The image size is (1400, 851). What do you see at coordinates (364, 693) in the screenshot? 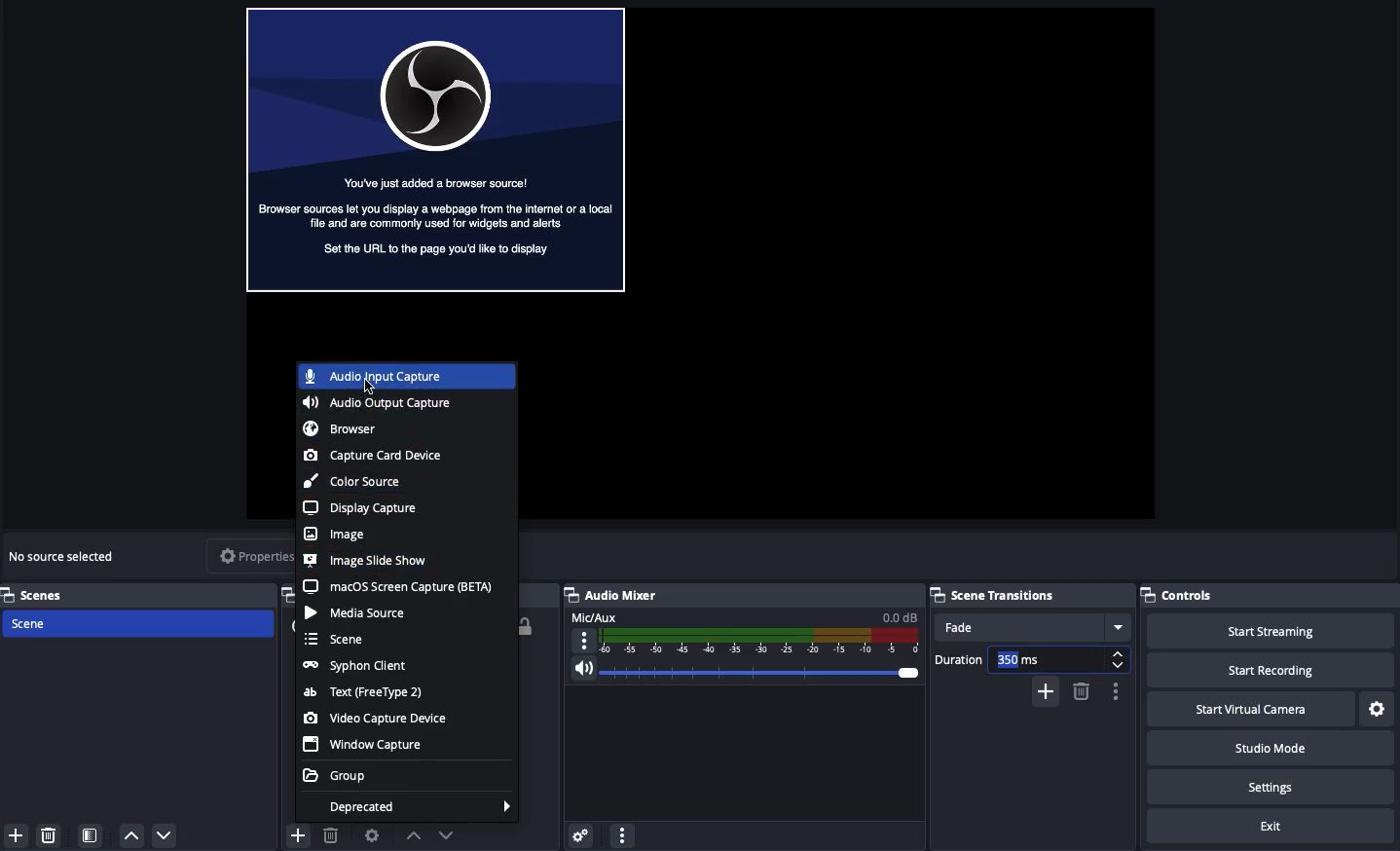
I see `Test` at bounding box center [364, 693].